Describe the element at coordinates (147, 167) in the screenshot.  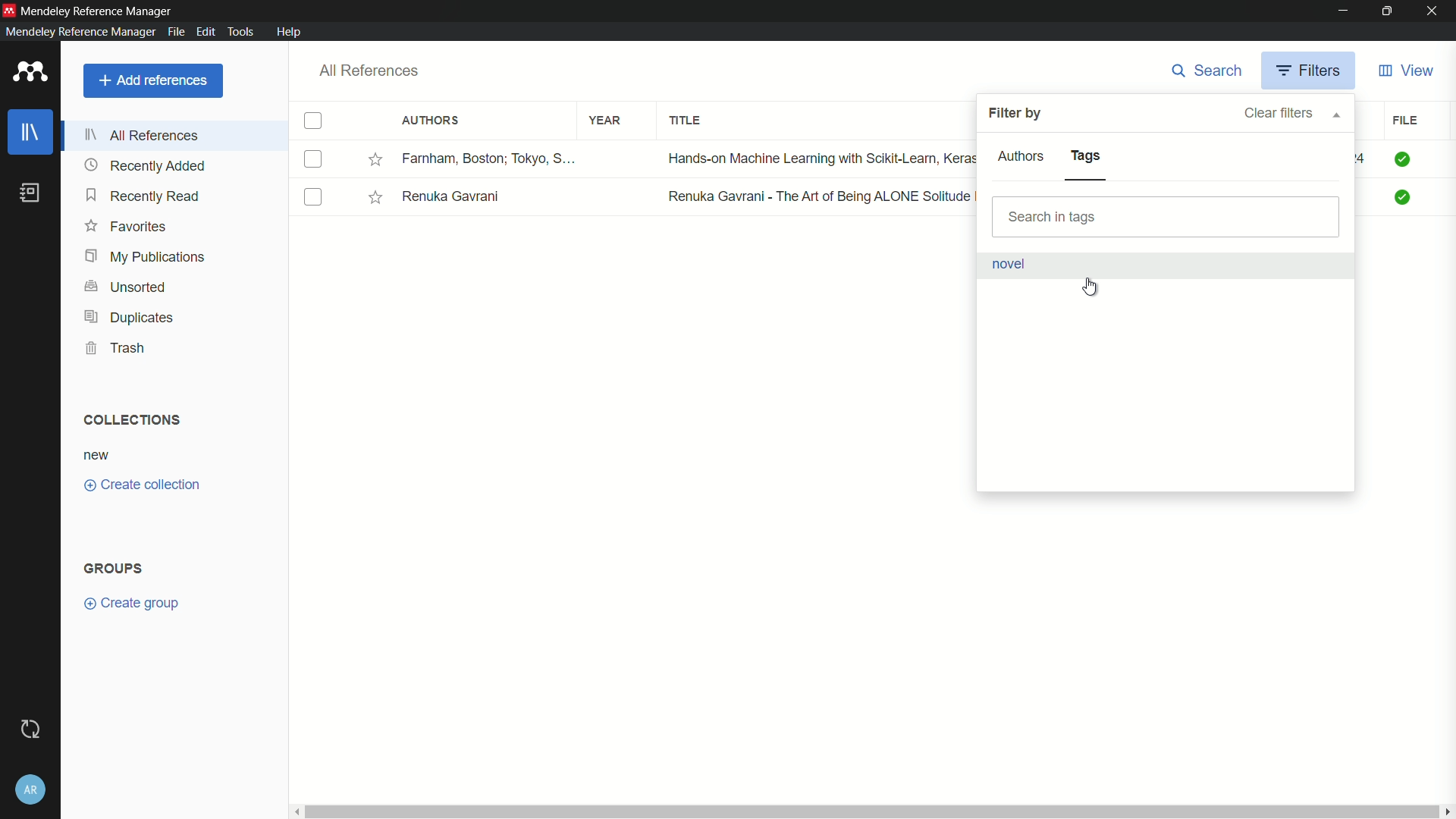
I see `recently added` at that location.